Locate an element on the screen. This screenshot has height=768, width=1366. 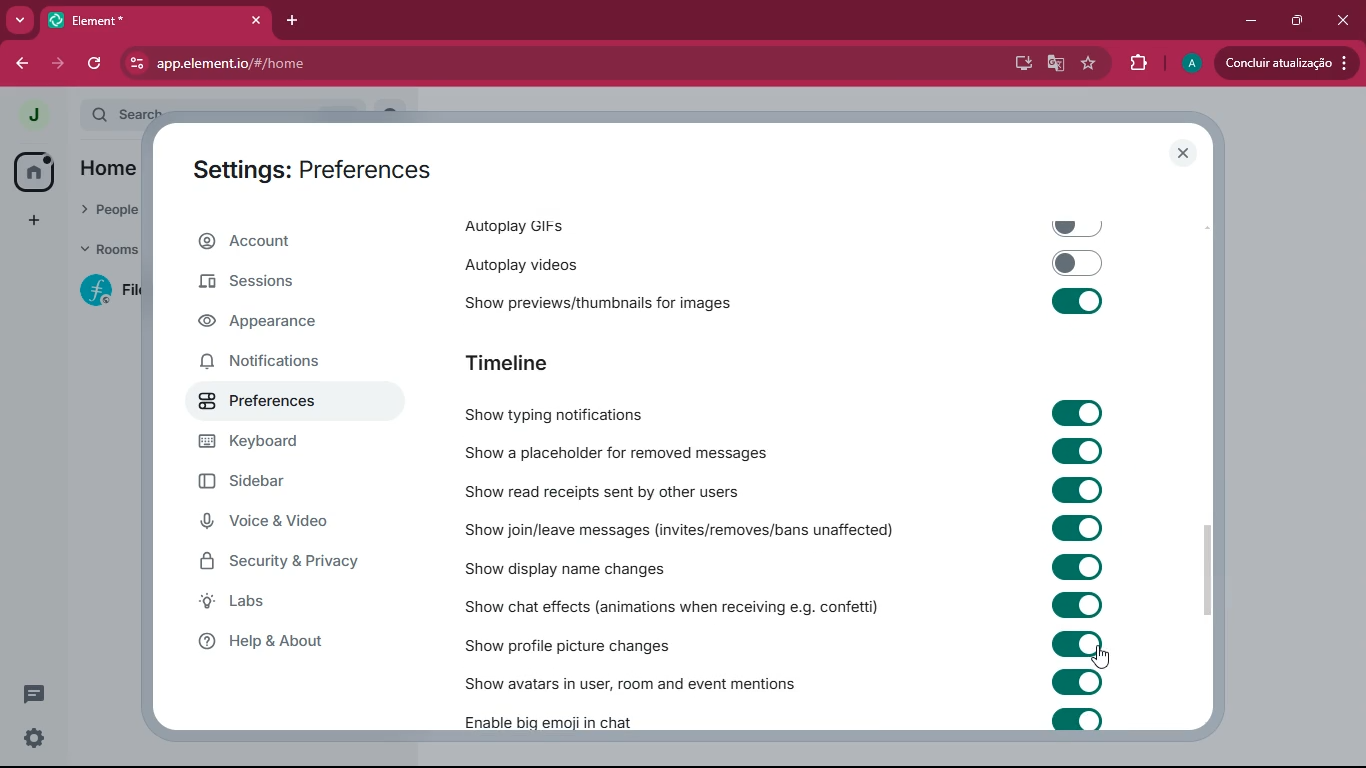
appearance is located at coordinates (275, 325).